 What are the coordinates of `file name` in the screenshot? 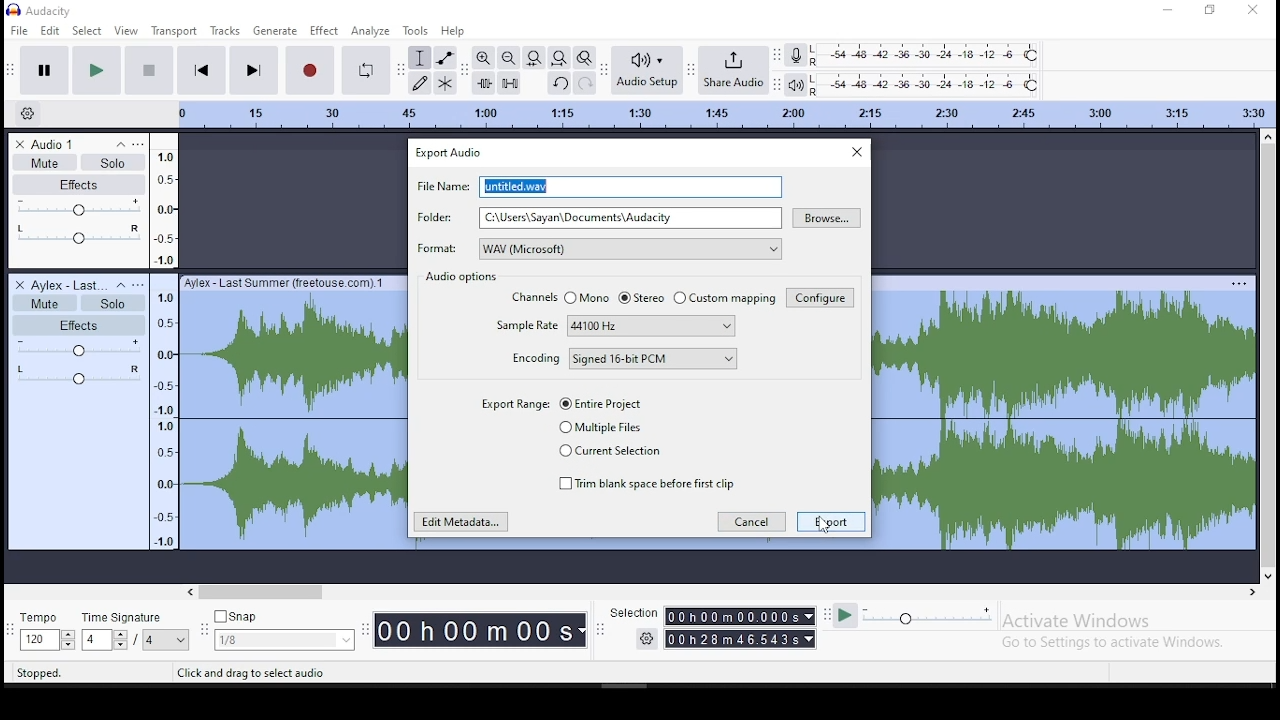 It's located at (599, 187).